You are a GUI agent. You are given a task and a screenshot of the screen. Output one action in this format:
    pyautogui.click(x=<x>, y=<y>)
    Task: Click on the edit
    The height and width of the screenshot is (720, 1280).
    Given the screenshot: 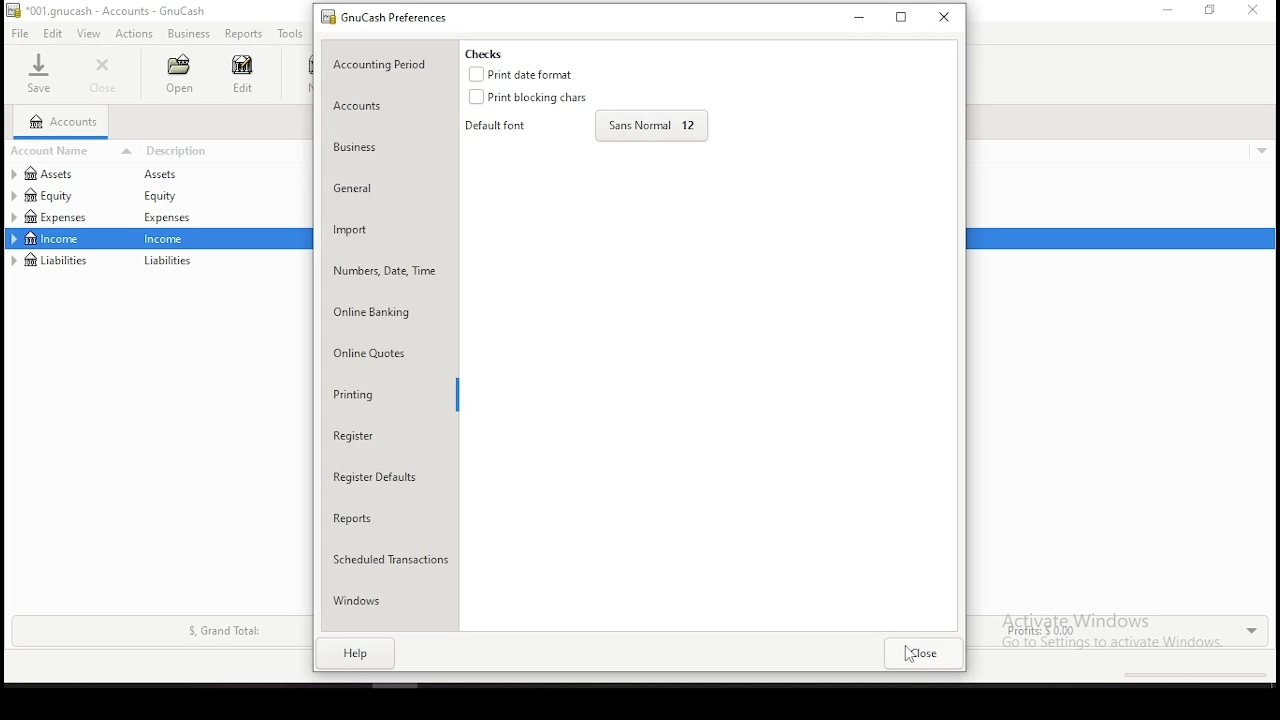 What is the action you would take?
    pyautogui.click(x=242, y=73)
    